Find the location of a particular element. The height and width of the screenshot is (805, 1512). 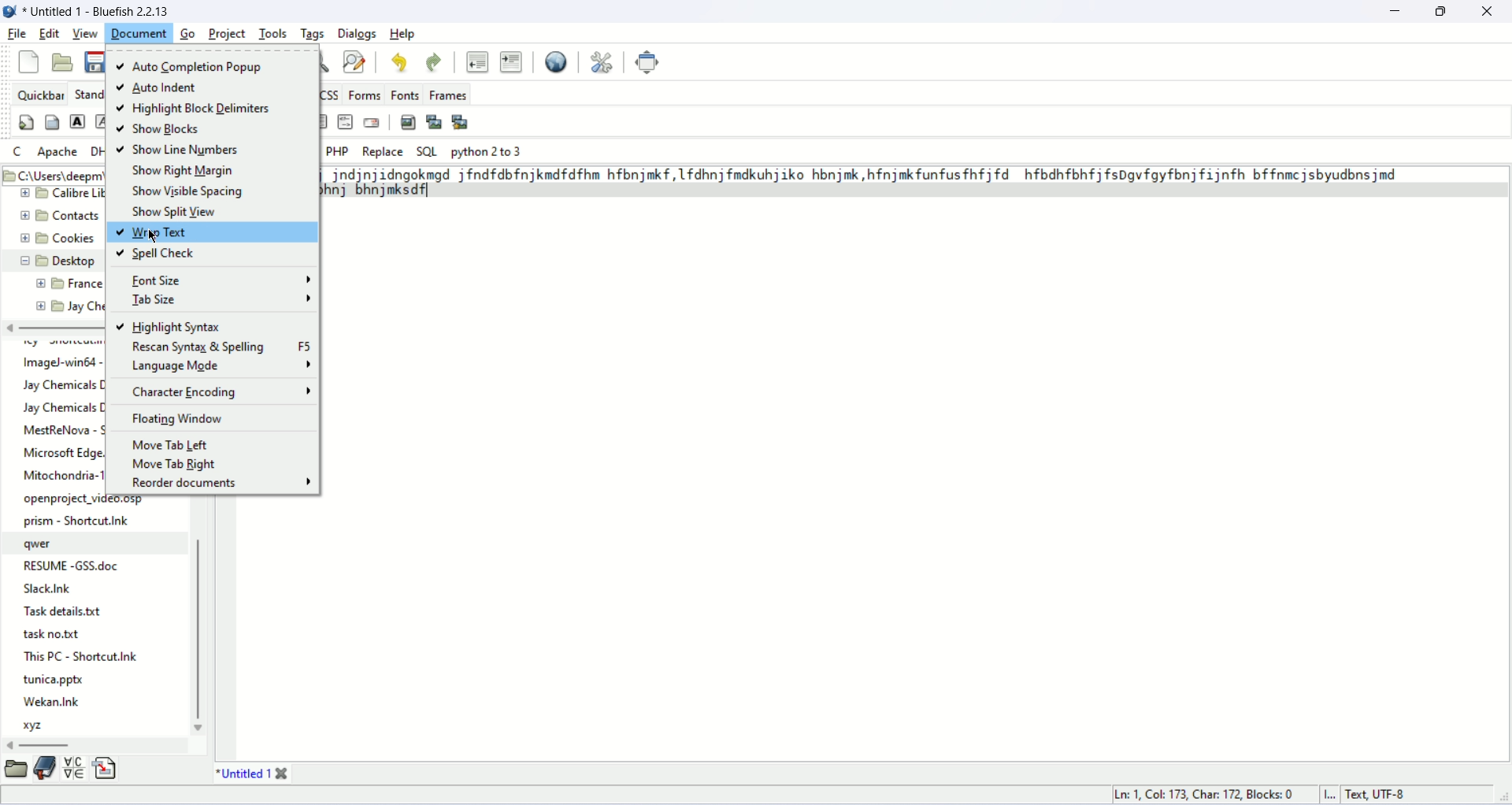

indent is located at coordinates (510, 61).